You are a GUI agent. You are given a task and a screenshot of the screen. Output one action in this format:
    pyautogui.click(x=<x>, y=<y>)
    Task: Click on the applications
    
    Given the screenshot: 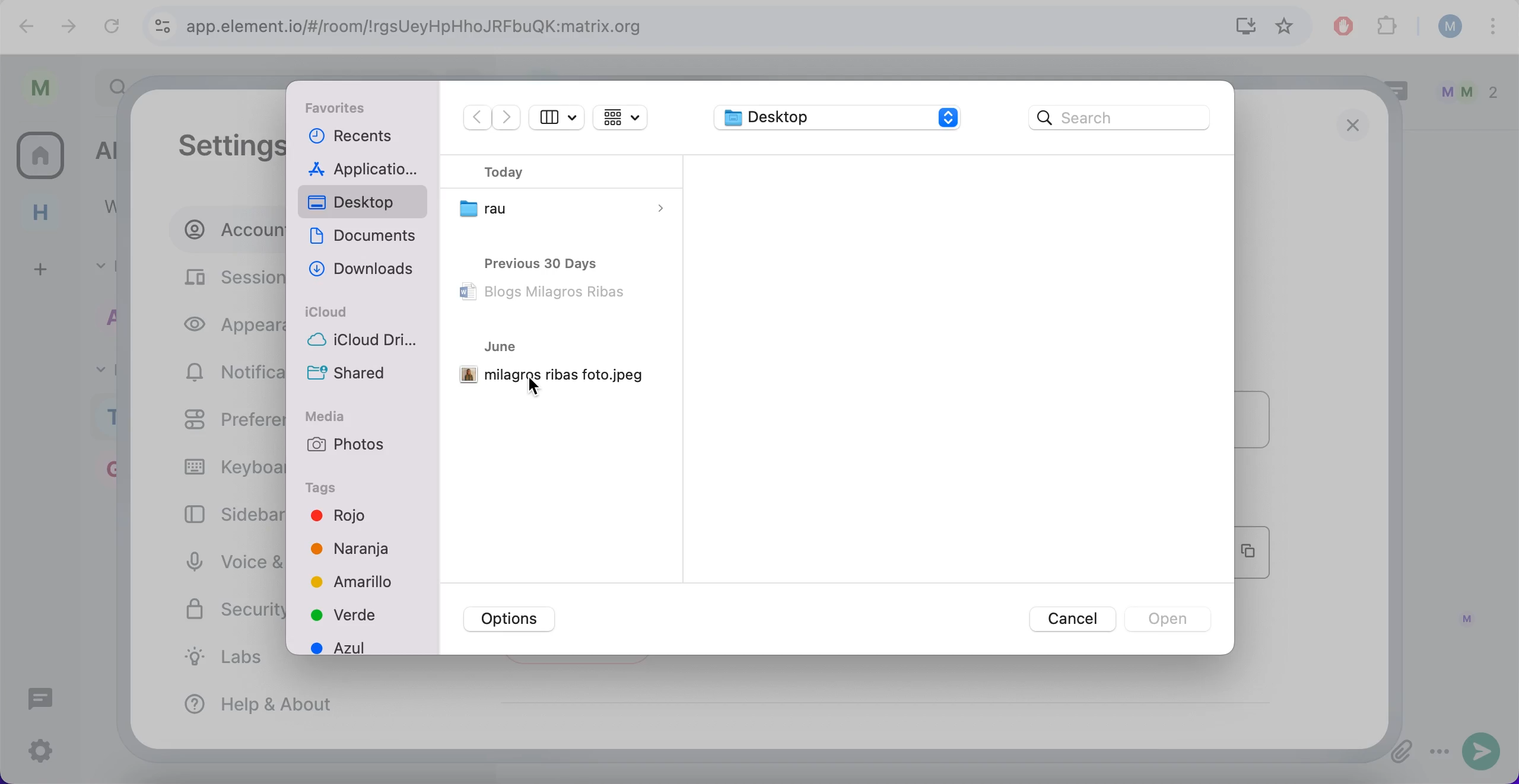 What is the action you would take?
    pyautogui.click(x=361, y=168)
    